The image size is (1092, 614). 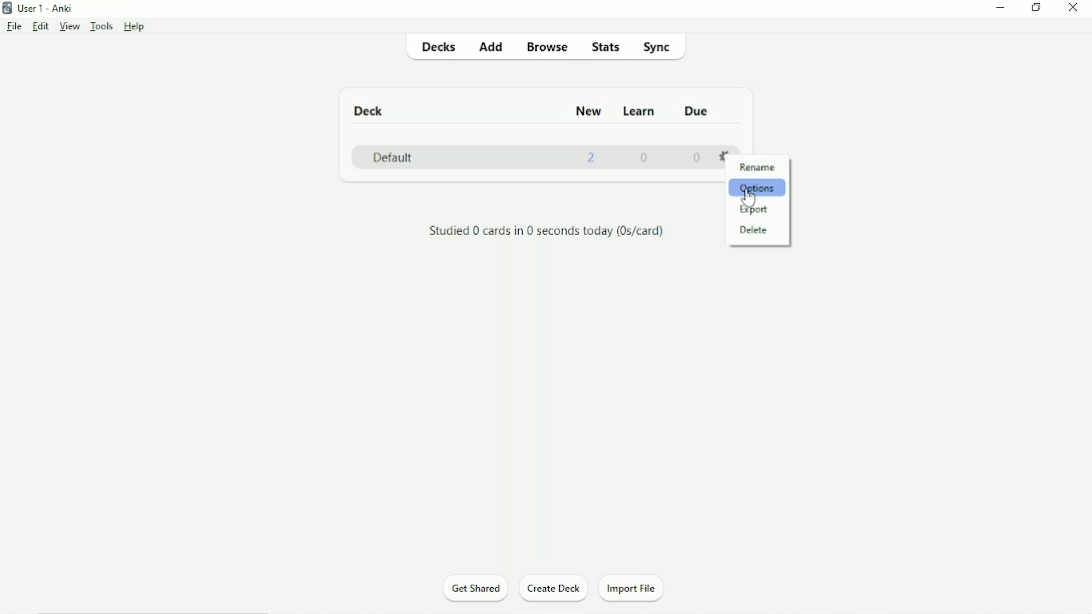 I want to click on Browse, so click(x=548, y=46).